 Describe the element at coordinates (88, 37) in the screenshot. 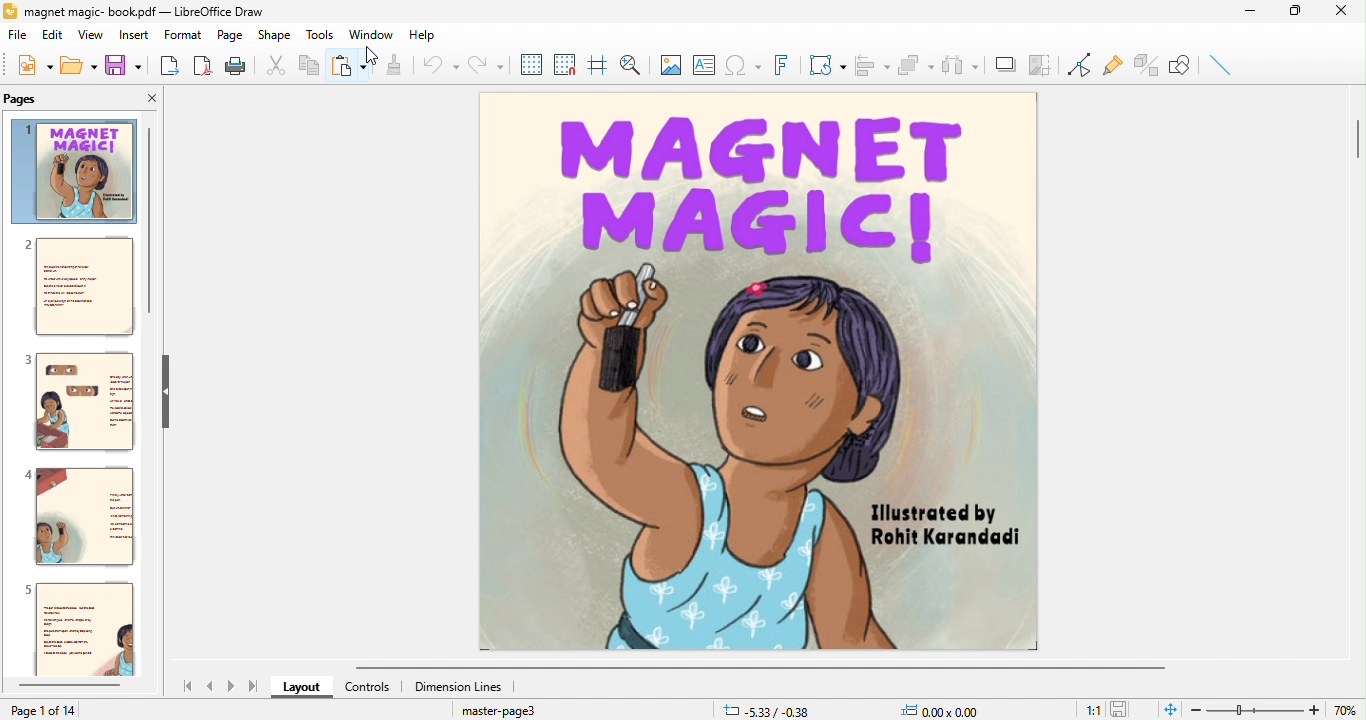

I see `view` at that location.